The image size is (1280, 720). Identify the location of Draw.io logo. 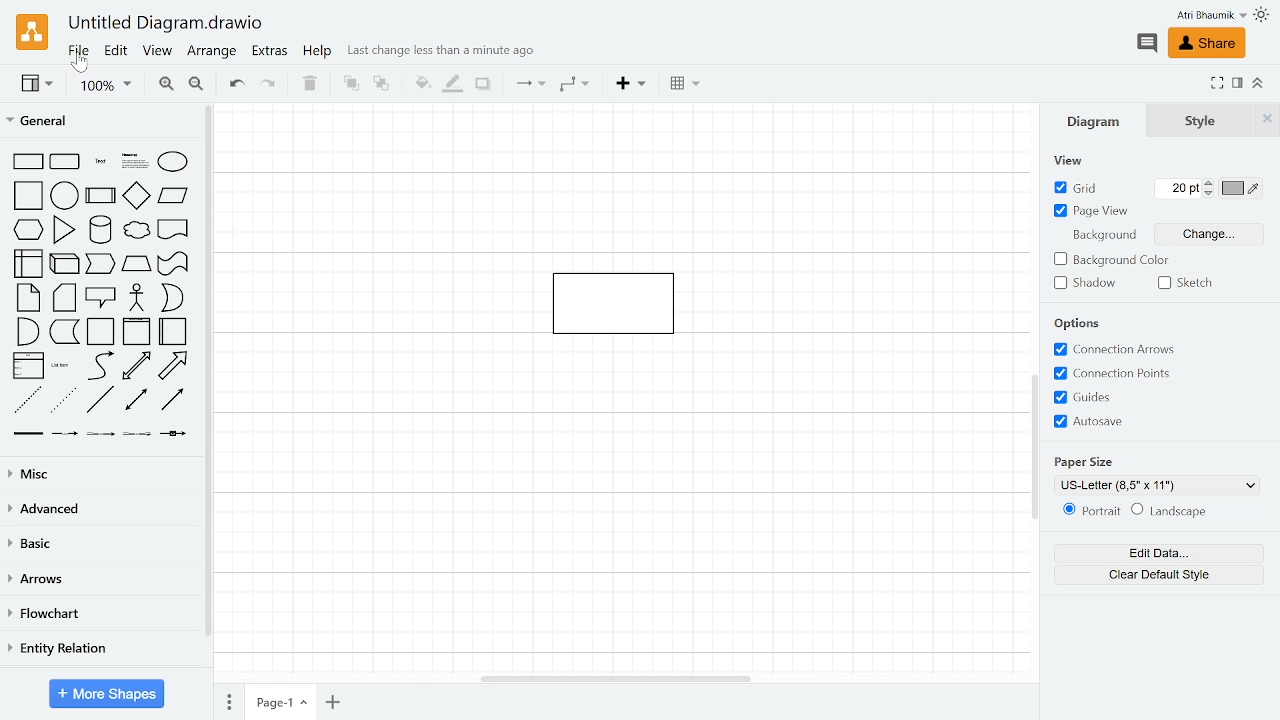
(34, 31).